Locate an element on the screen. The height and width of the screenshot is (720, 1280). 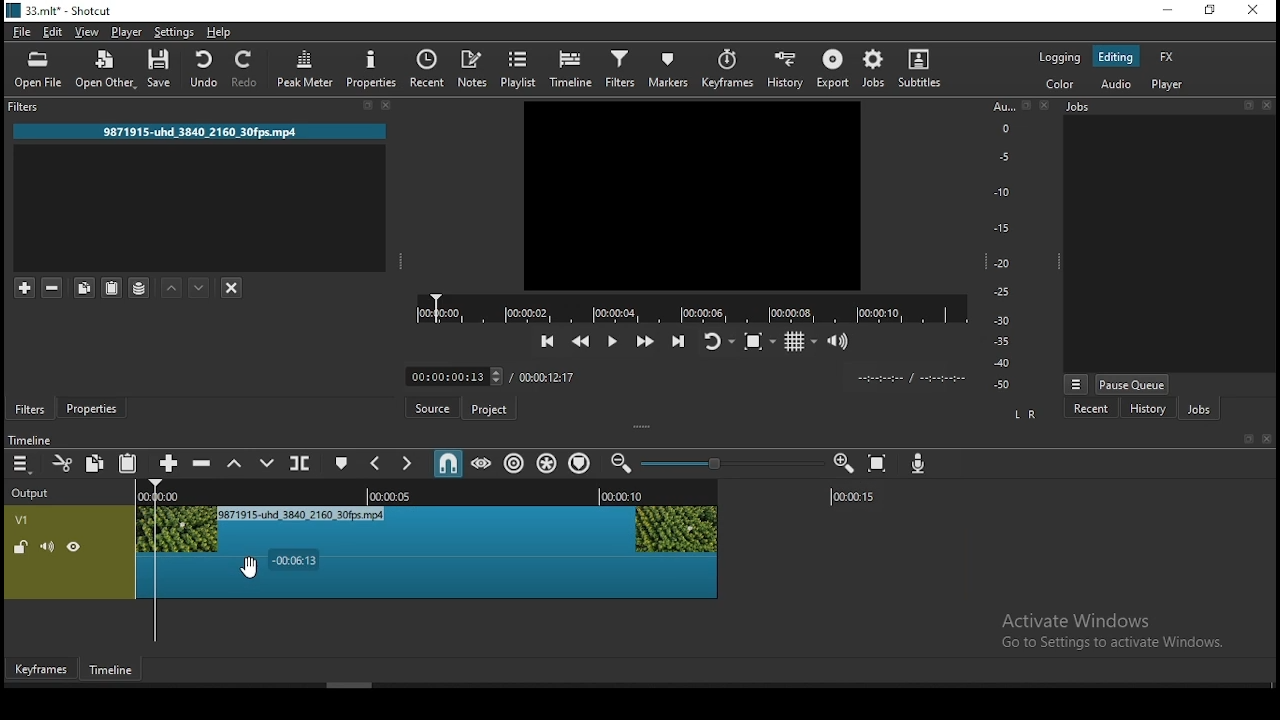
skip to previous point is located at coordinates (547, 339).